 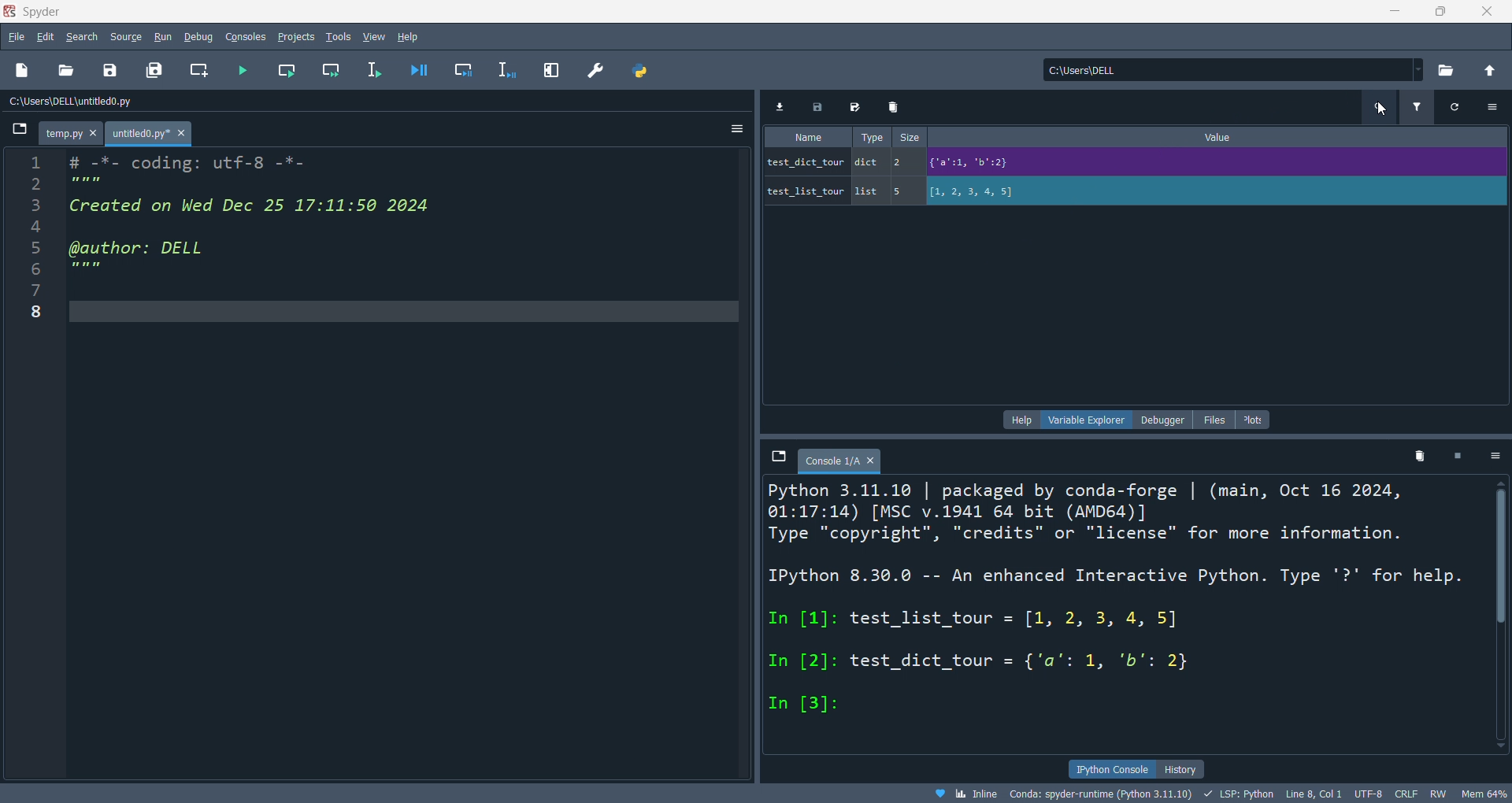 What do you see at coordinates (1450, 111) in the screenshot?
I see `refresh` at bounding box center [1450, 111].